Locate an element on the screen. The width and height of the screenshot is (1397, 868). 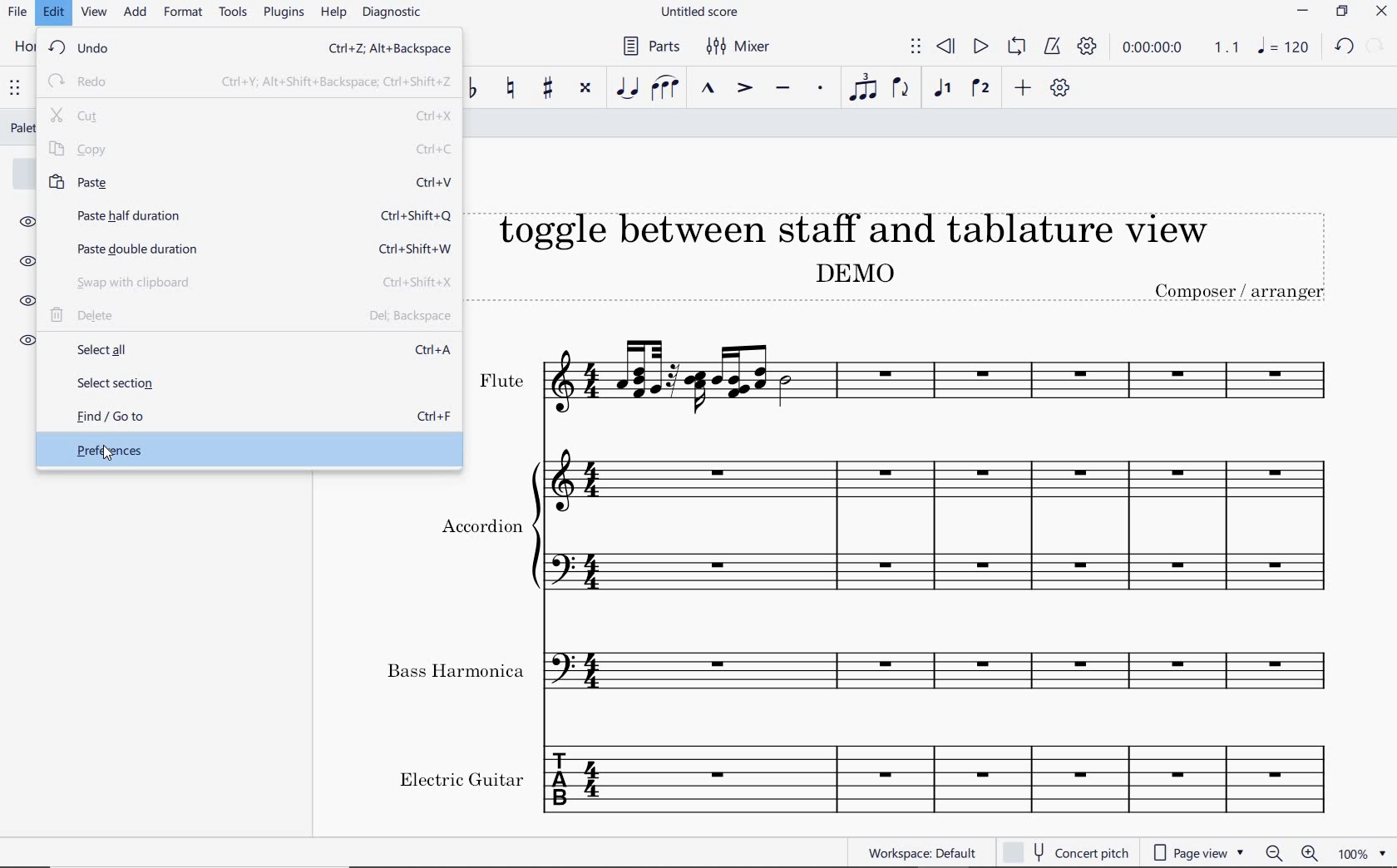
delete is located at coordinates (250, 318).